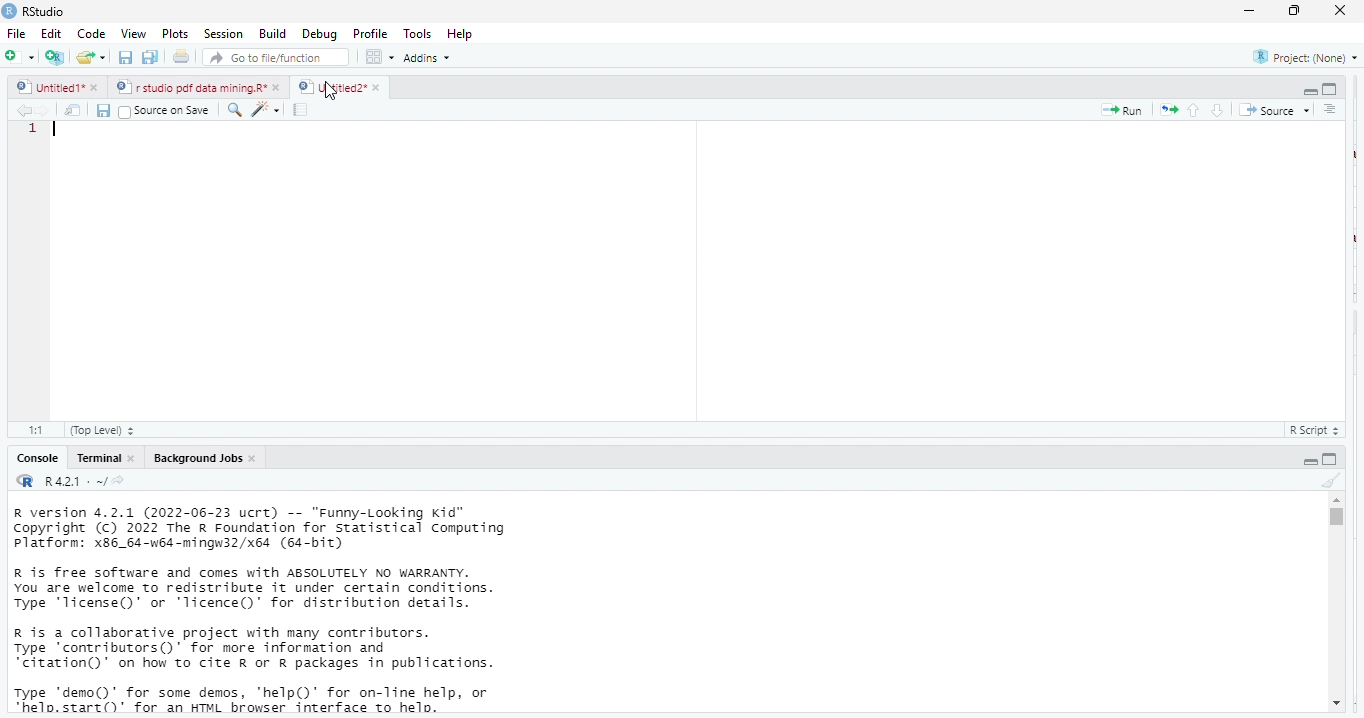 This screenshot has width=1364, height=718. I want to click on view, so click(128, 34).